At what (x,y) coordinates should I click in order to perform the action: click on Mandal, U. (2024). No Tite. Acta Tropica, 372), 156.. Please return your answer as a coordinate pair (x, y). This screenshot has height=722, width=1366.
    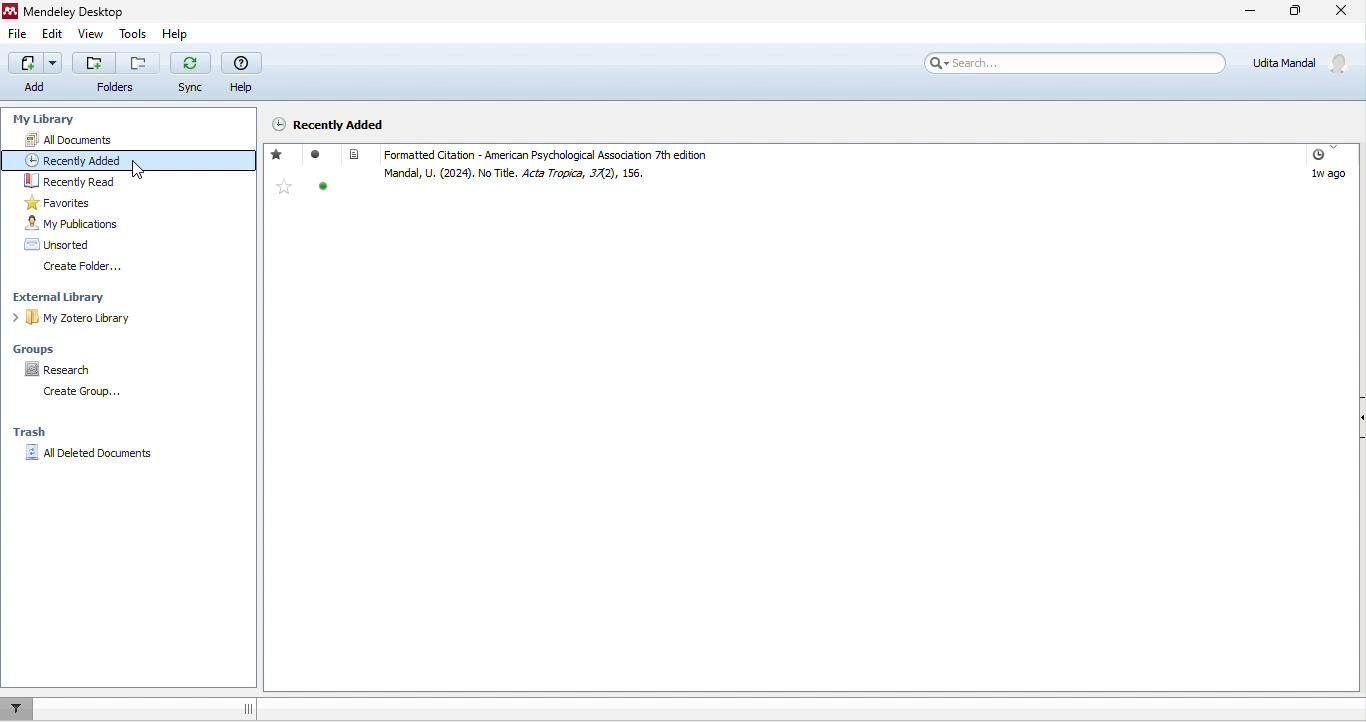
    Looking at the image, I should click on (518, 175).